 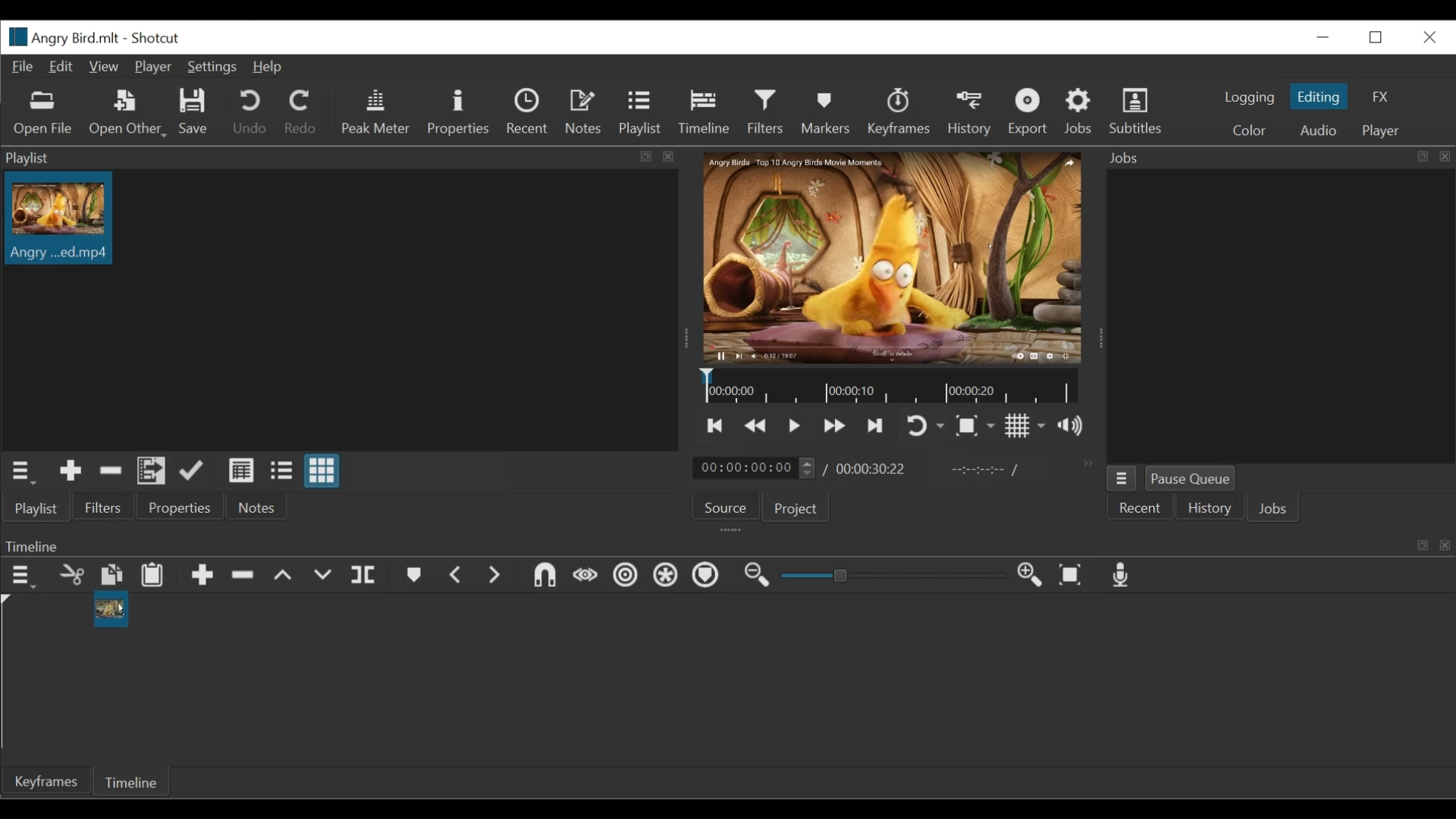 What do you see at coordinates (194, 112) in the screenshot?
I see `Save` at bounding box center [194, 112].